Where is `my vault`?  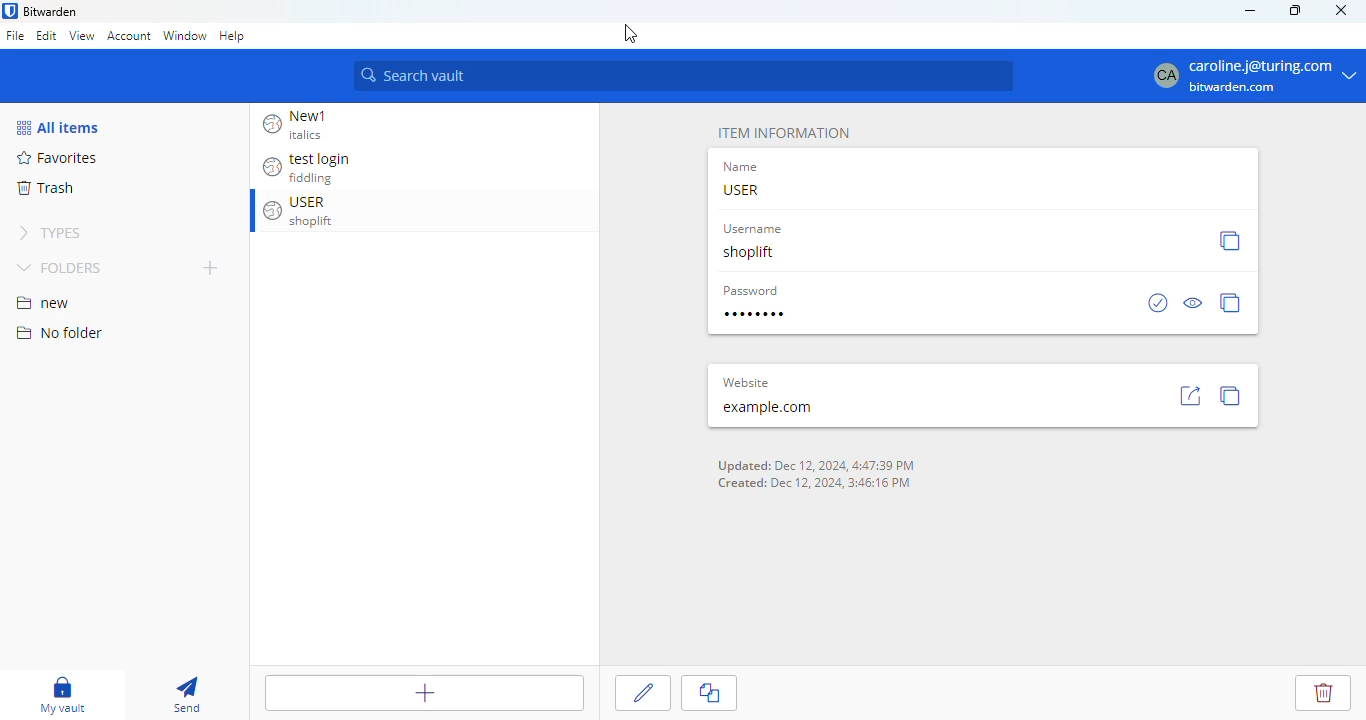
my vault is located at coordinates (67, 691).